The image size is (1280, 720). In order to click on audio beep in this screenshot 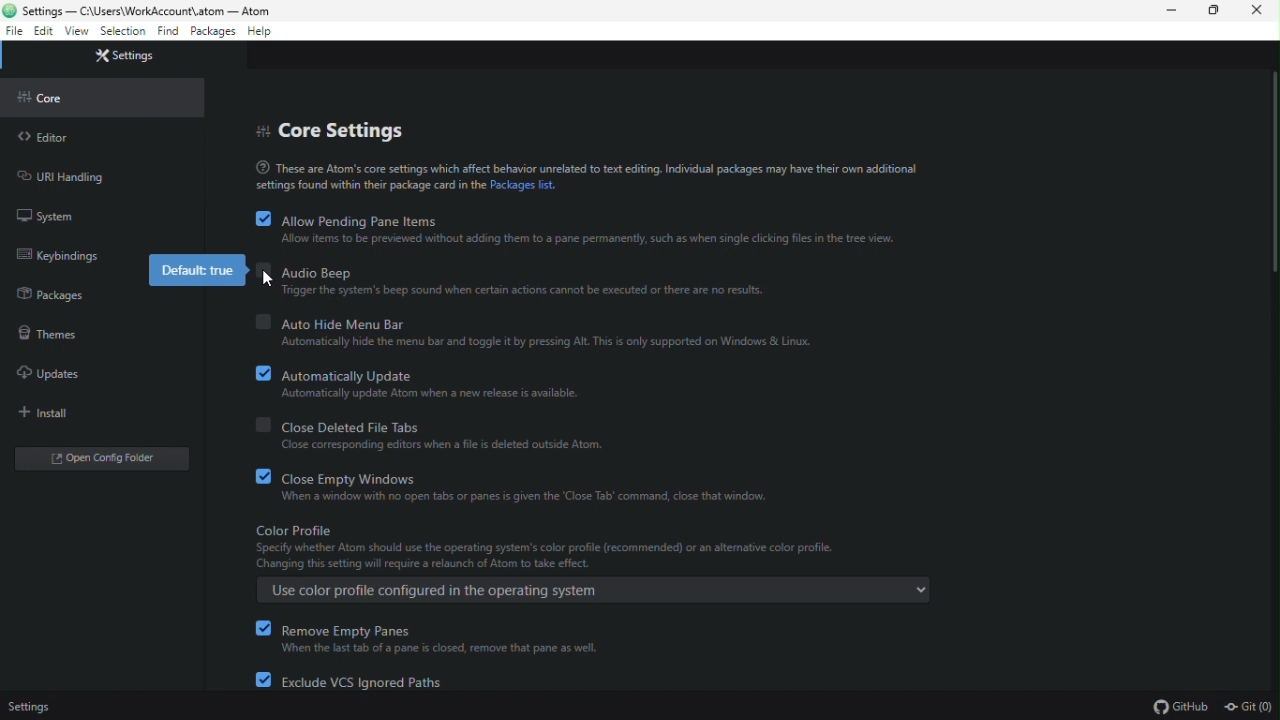, I will do `click(516, 272)`.